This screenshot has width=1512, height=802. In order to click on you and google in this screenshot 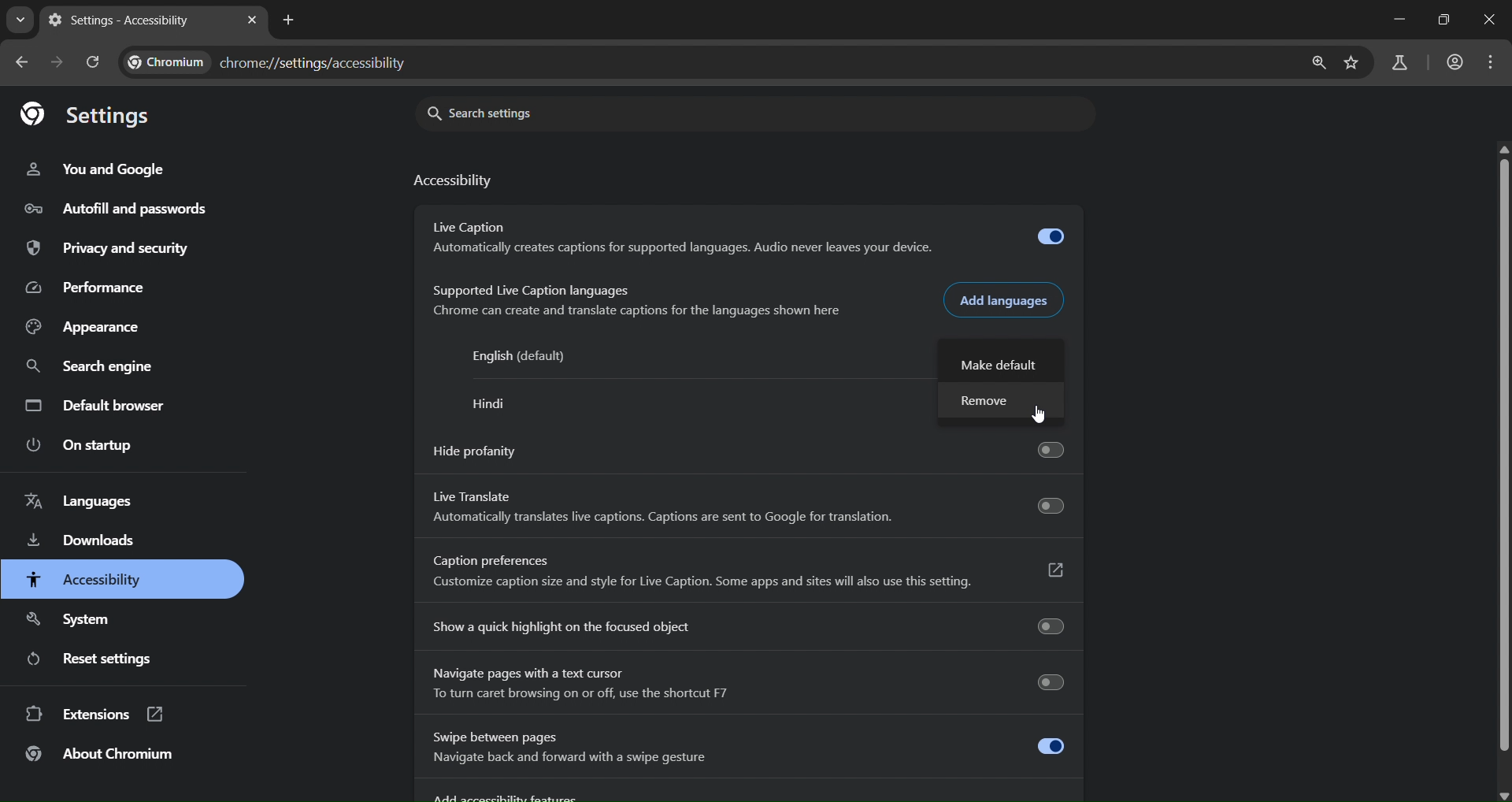, I will do `click(103, 173)`.